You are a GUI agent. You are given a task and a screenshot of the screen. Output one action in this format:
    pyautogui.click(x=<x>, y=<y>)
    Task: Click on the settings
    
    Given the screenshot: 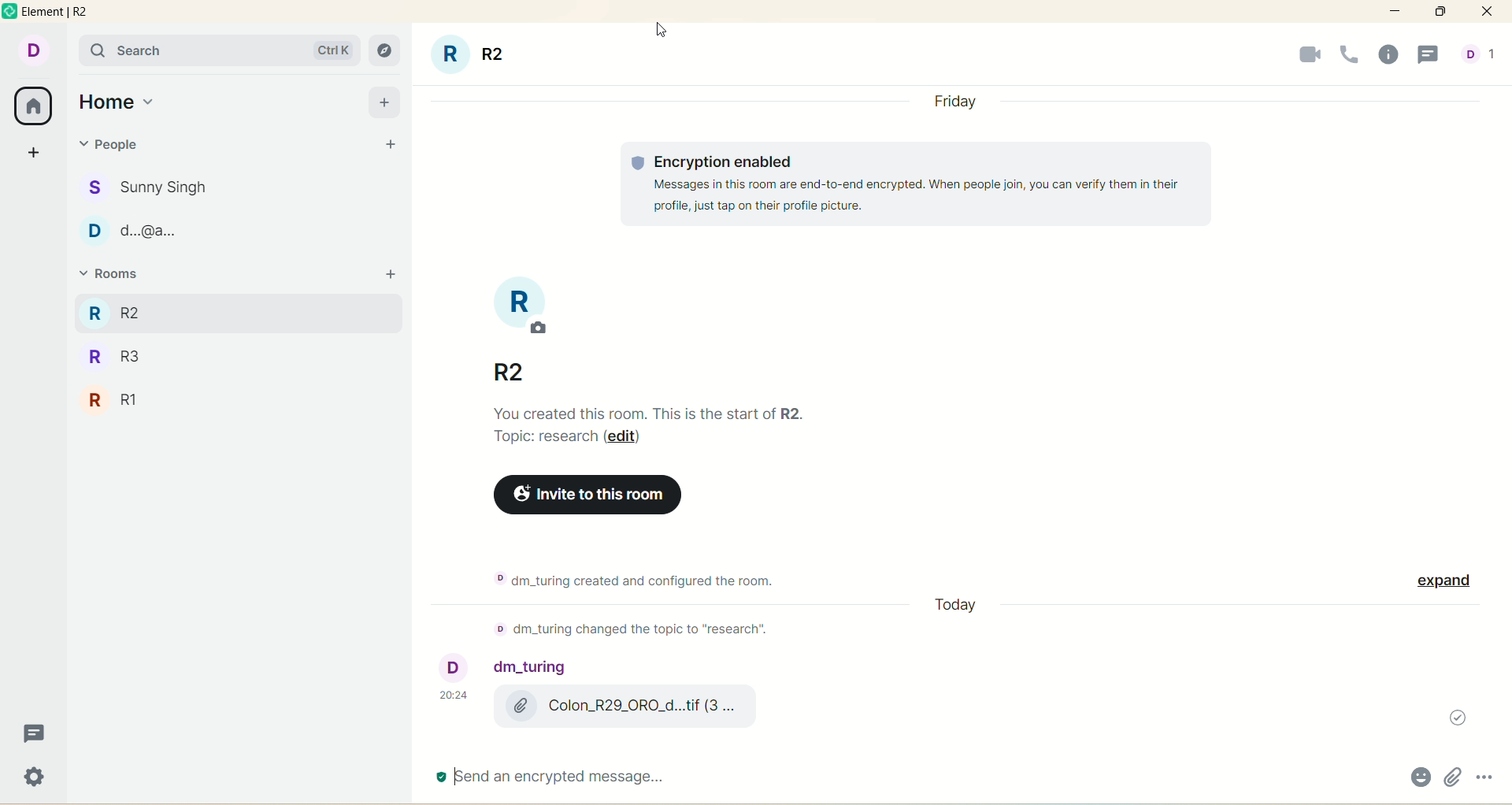 What is the action you would take?
    pyautogui.click(x=36, y=779)
    